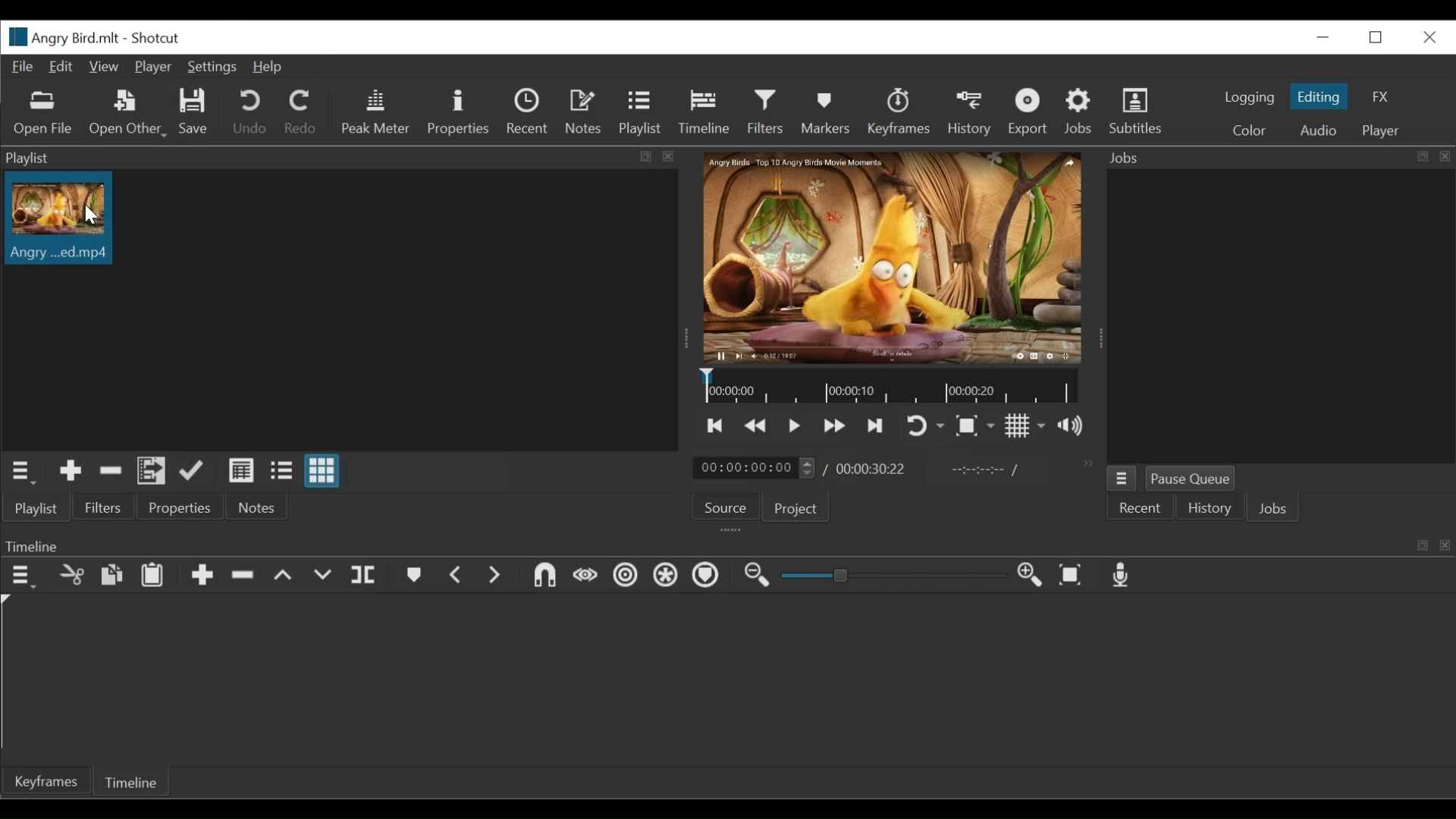 This screenshot has height=819, width=1456. I want to click on View, so click(103, 67).